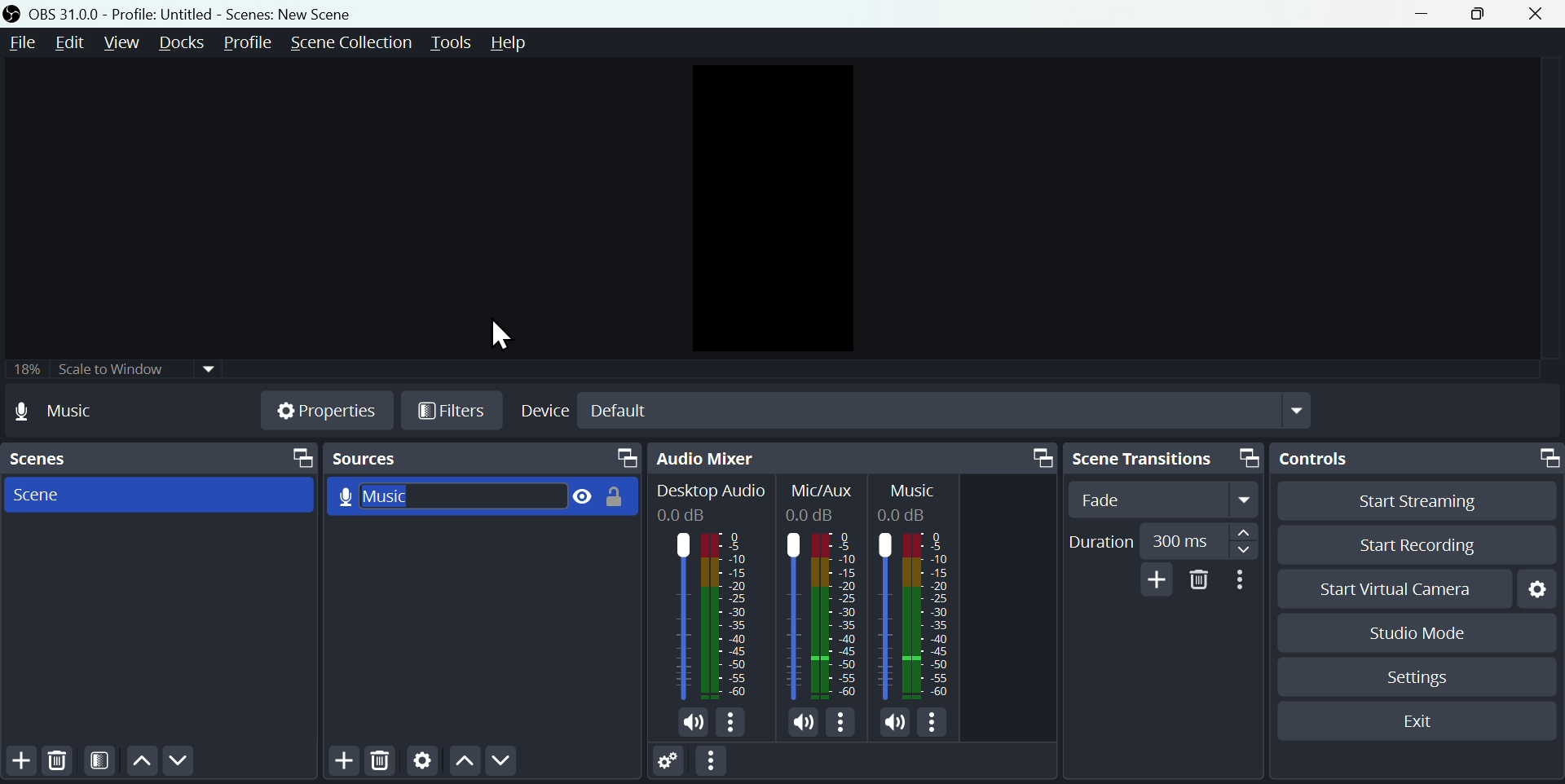 This screenshot has height=784, width=1565. Describe the element at coordinates (123, 40) in the screenshot. I see `View` at that location.